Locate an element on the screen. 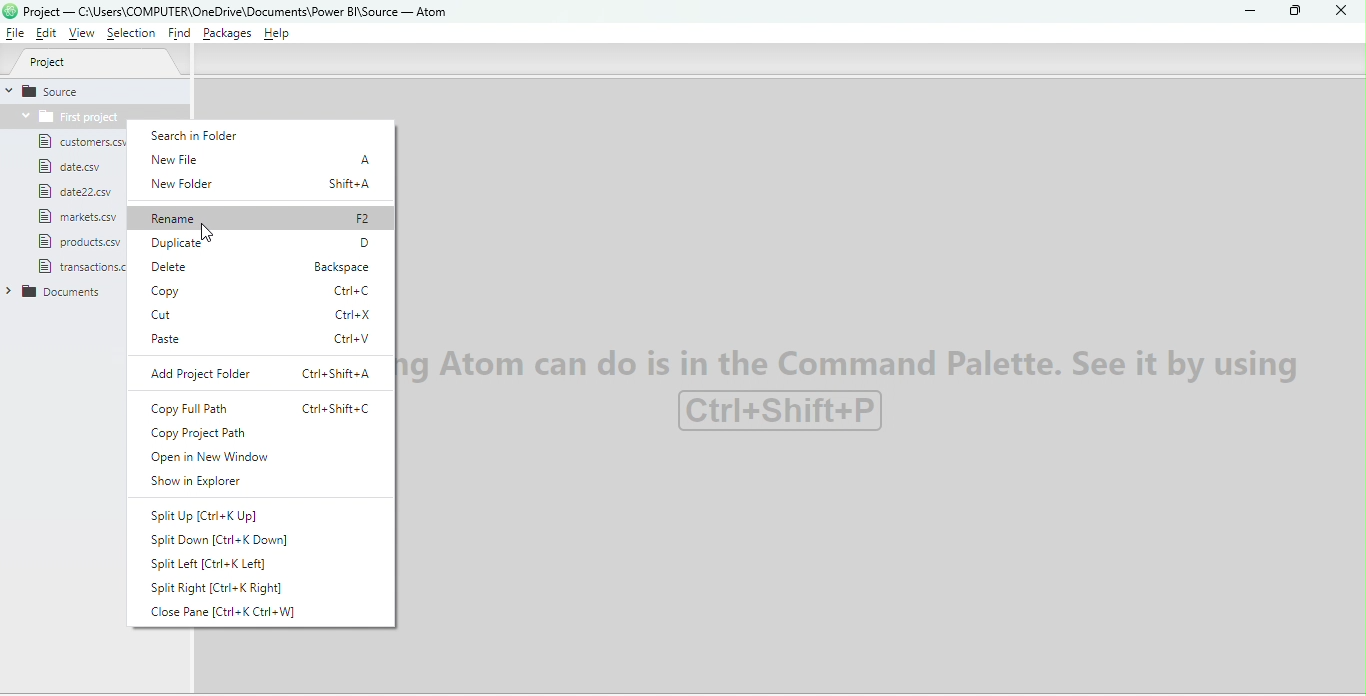 This screenshot has width=1366, height=696. Rename is located at coordinates (261, 219).